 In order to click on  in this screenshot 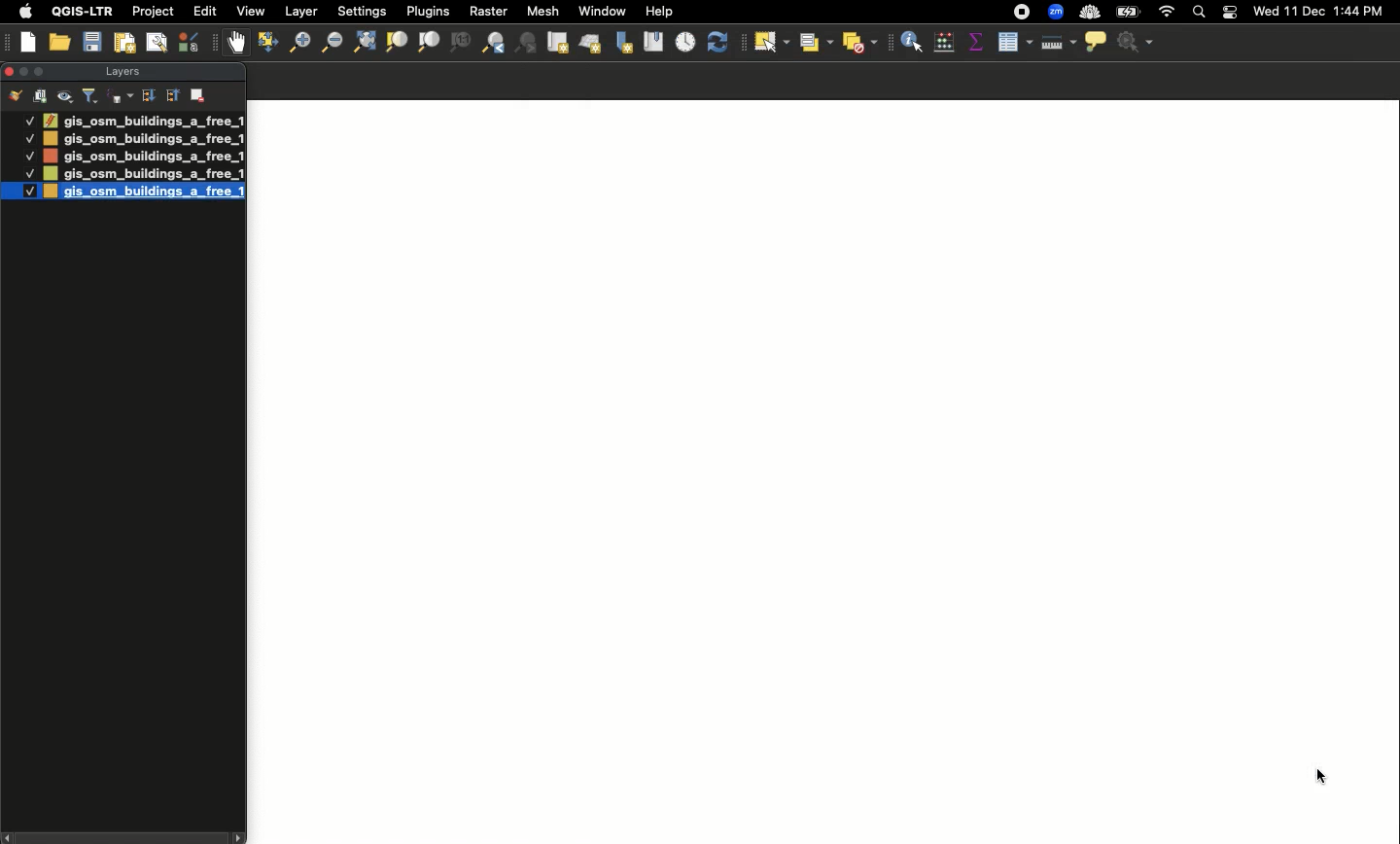, I will do `click(745, 42)`.